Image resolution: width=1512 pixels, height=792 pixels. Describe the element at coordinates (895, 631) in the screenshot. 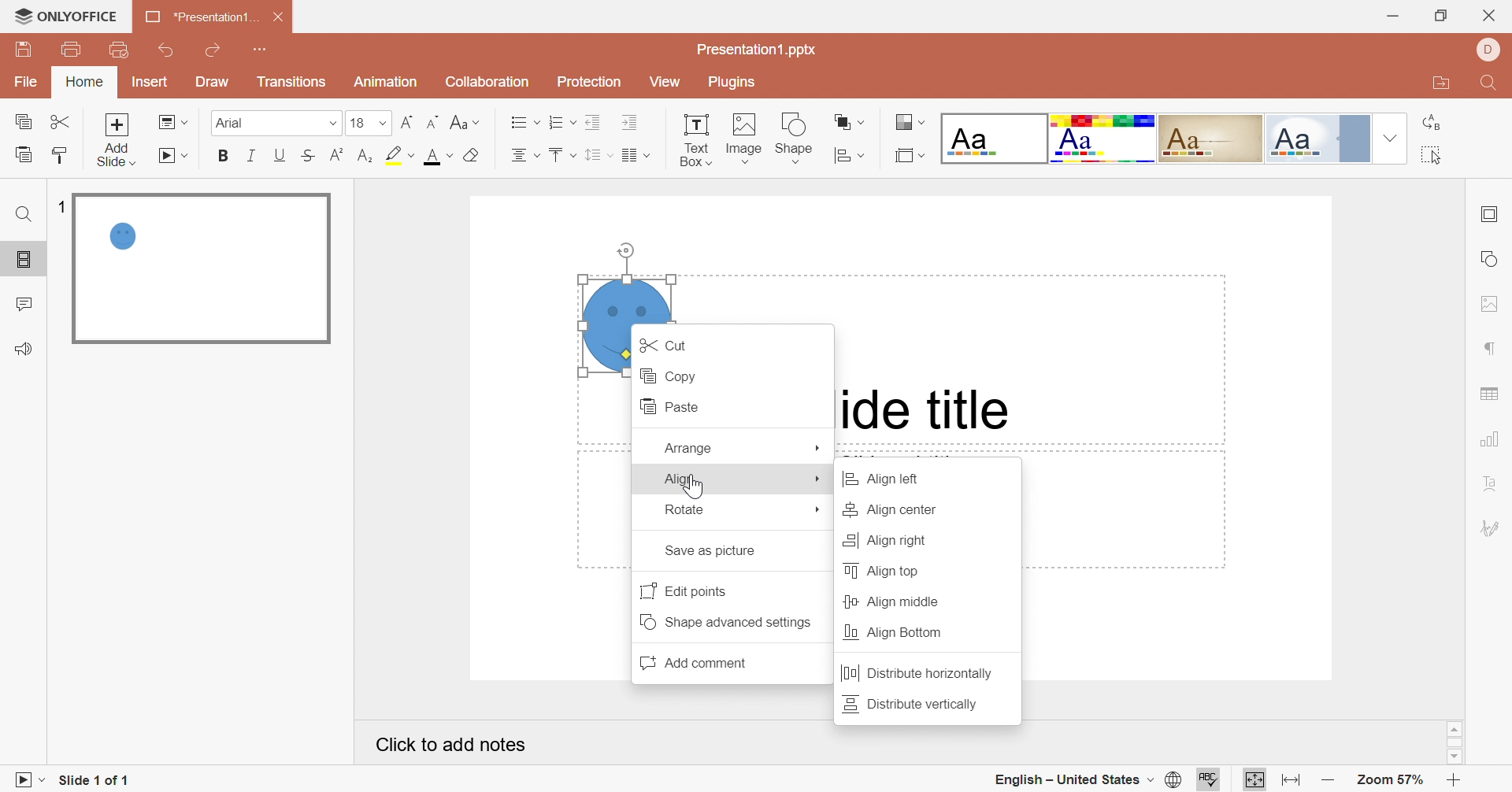

I see `Align Bottom` at that location.